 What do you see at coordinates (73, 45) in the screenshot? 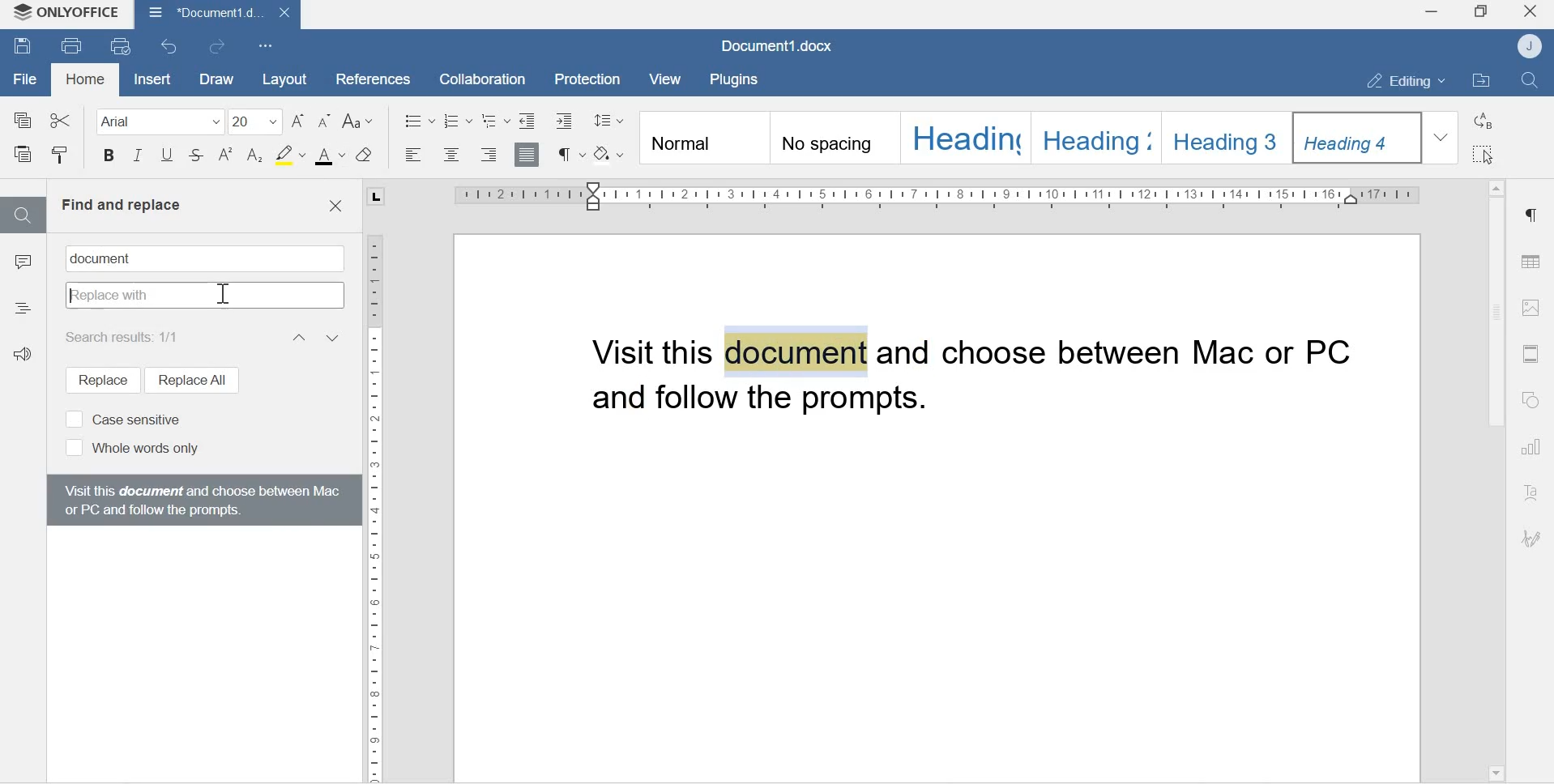
I see `Print file` at bounding box center [73, 45].